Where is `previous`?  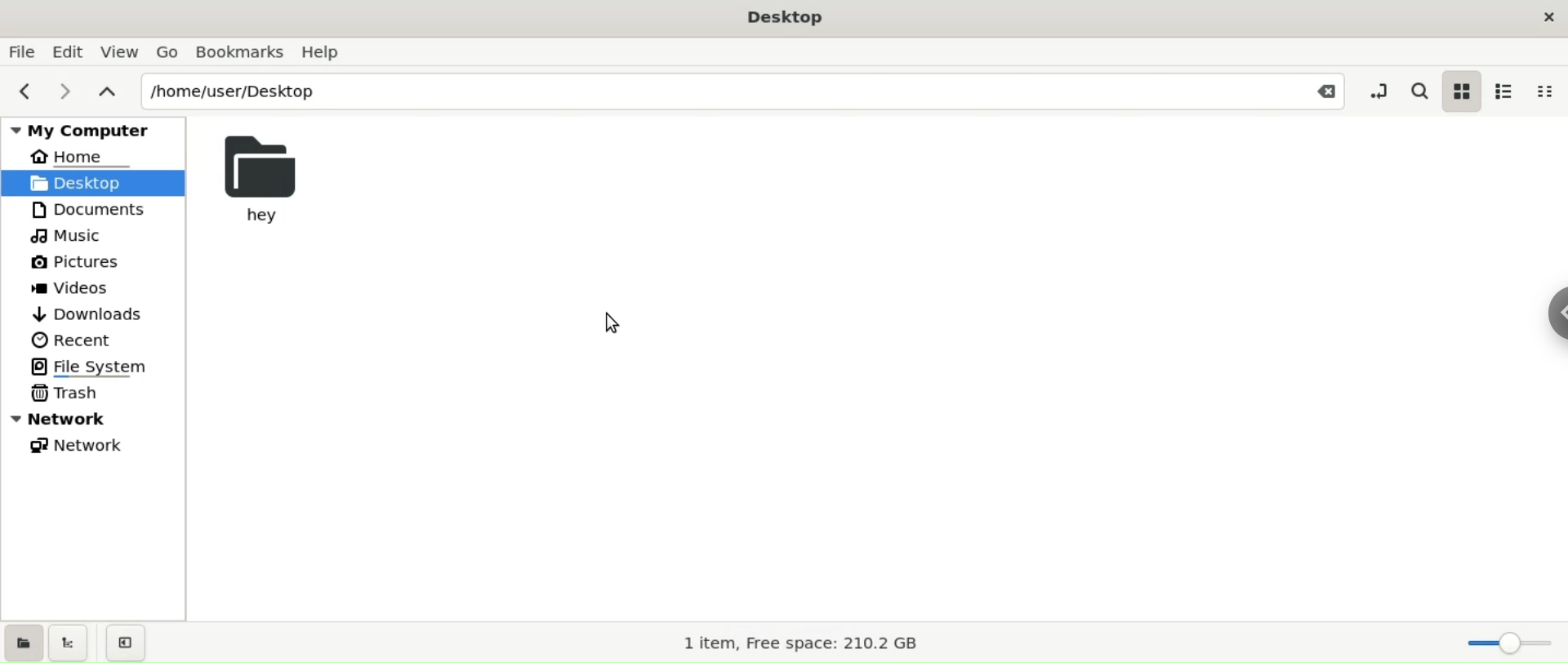 previous is located at coordinates (29, 88).